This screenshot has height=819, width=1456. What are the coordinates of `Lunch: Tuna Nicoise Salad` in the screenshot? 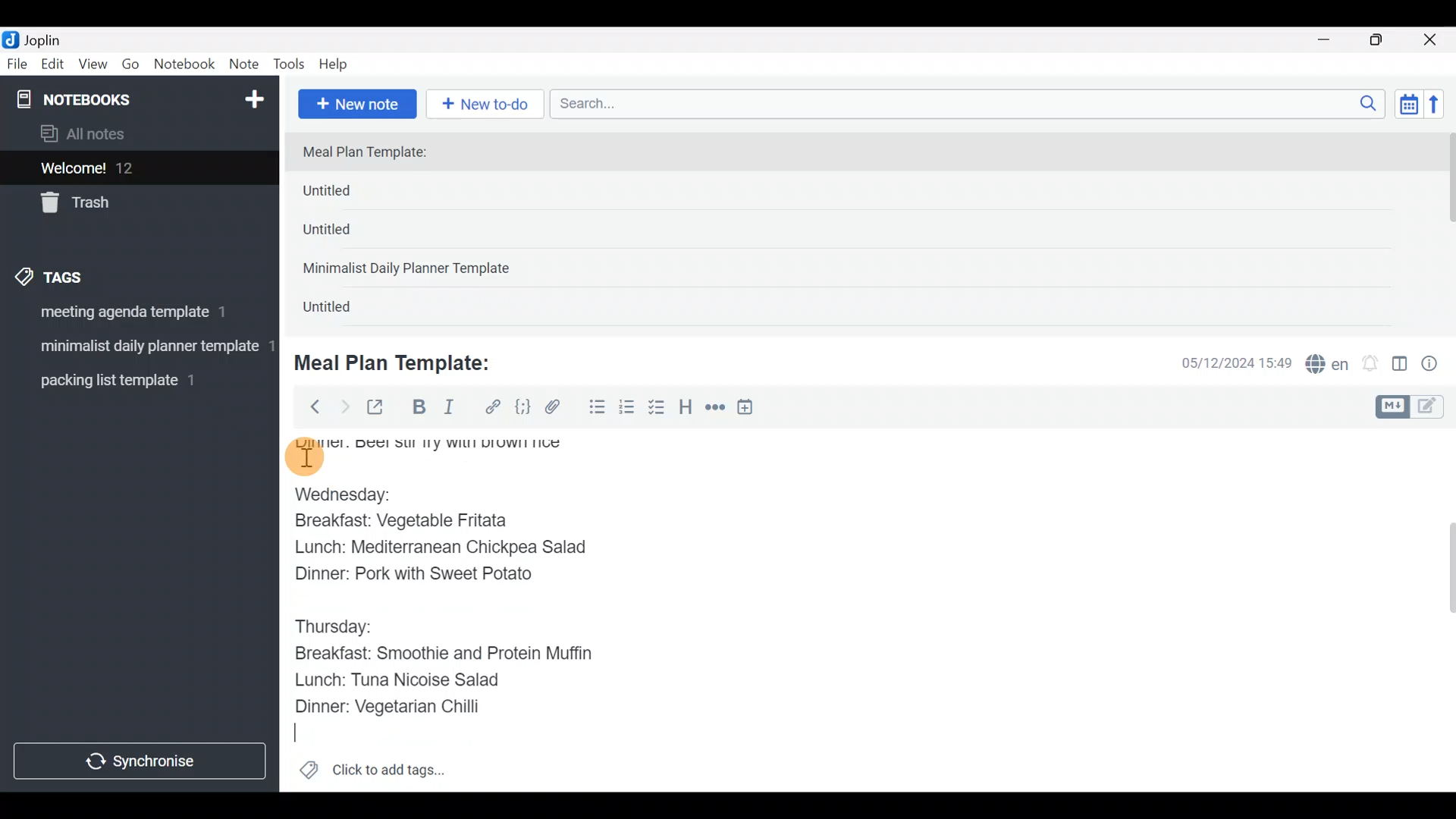 It's located at (416, 678).